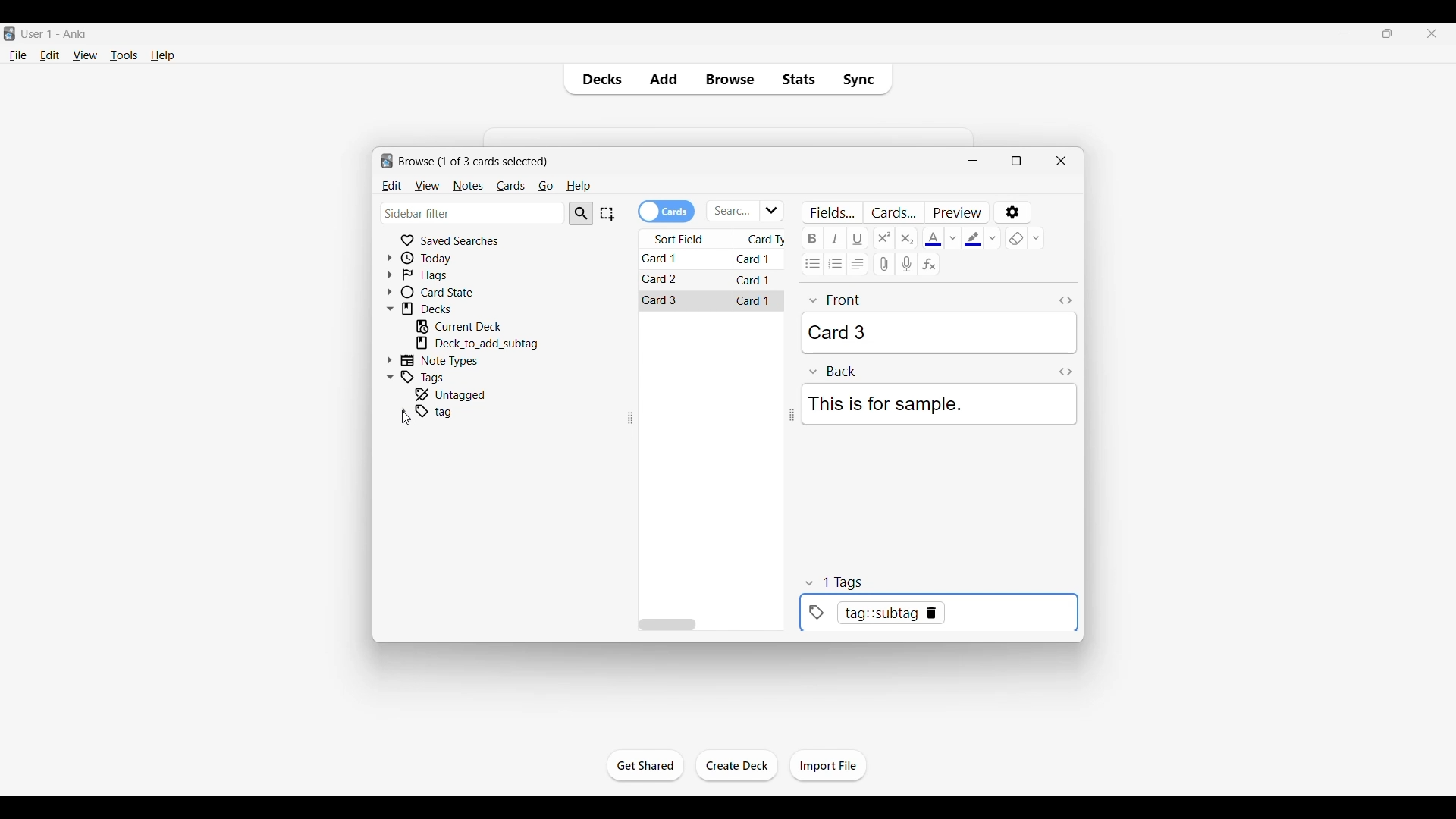 This screenshot has width=1456, height=819. I want to click on Ordered list, so click(834, 264).